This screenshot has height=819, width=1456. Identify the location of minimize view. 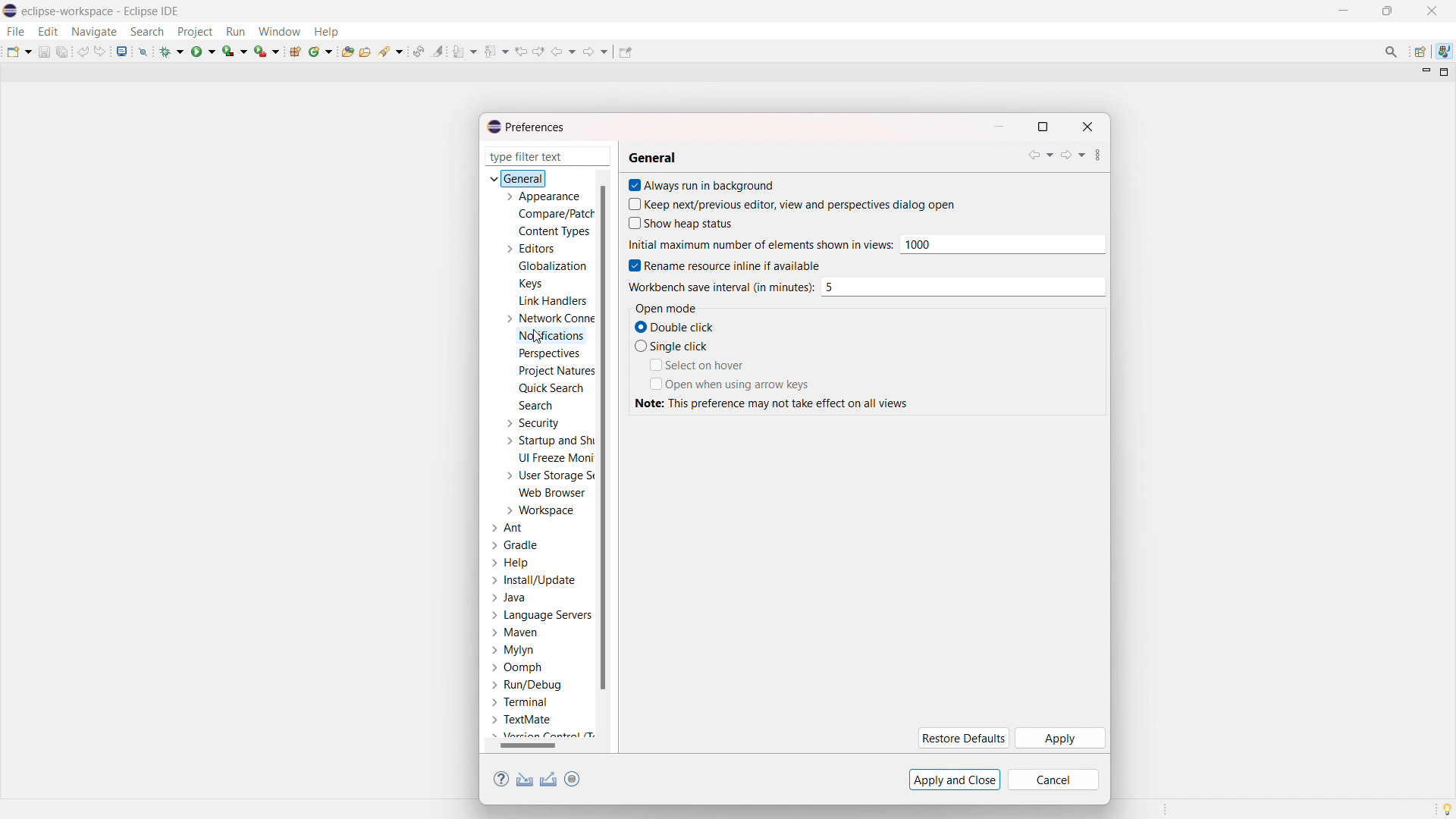
(1424, 71).